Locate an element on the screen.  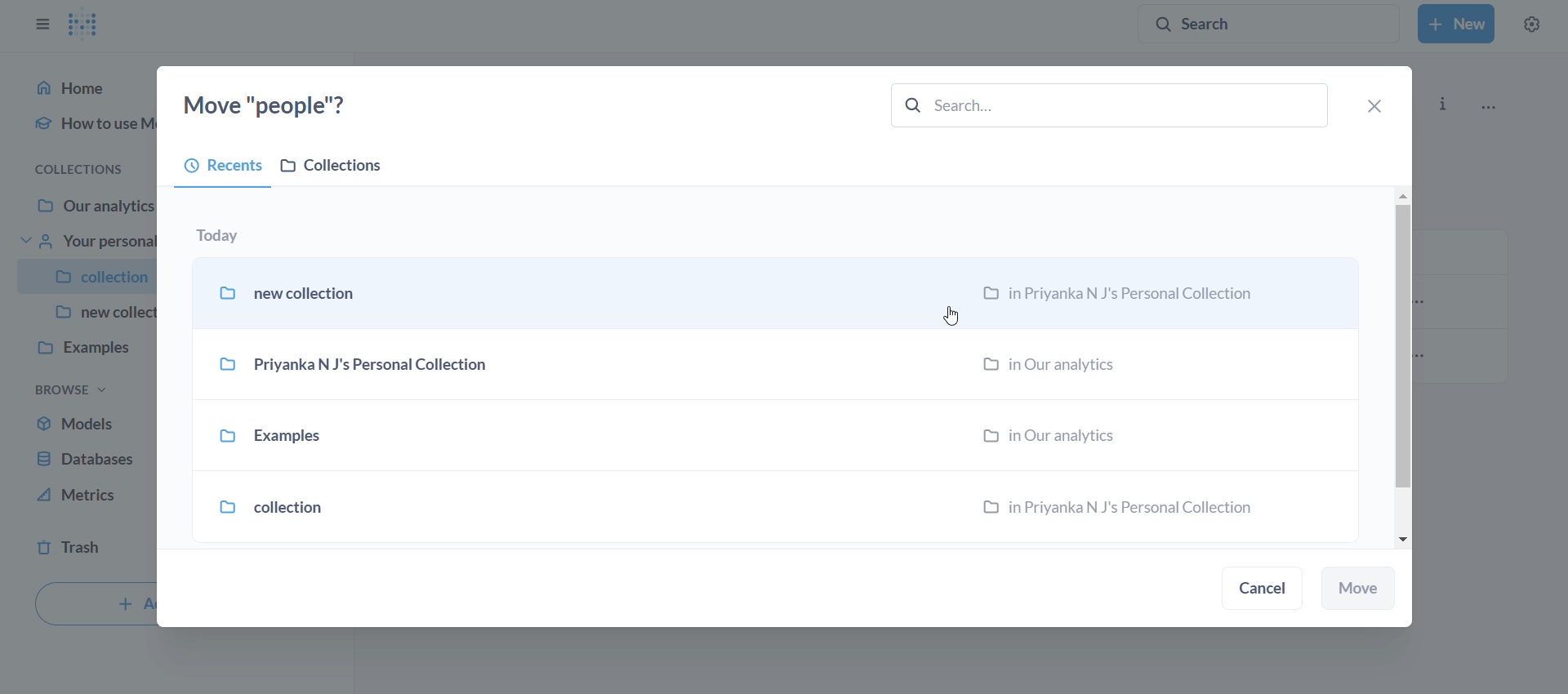
cancel is located at coordinates (1262, 588).